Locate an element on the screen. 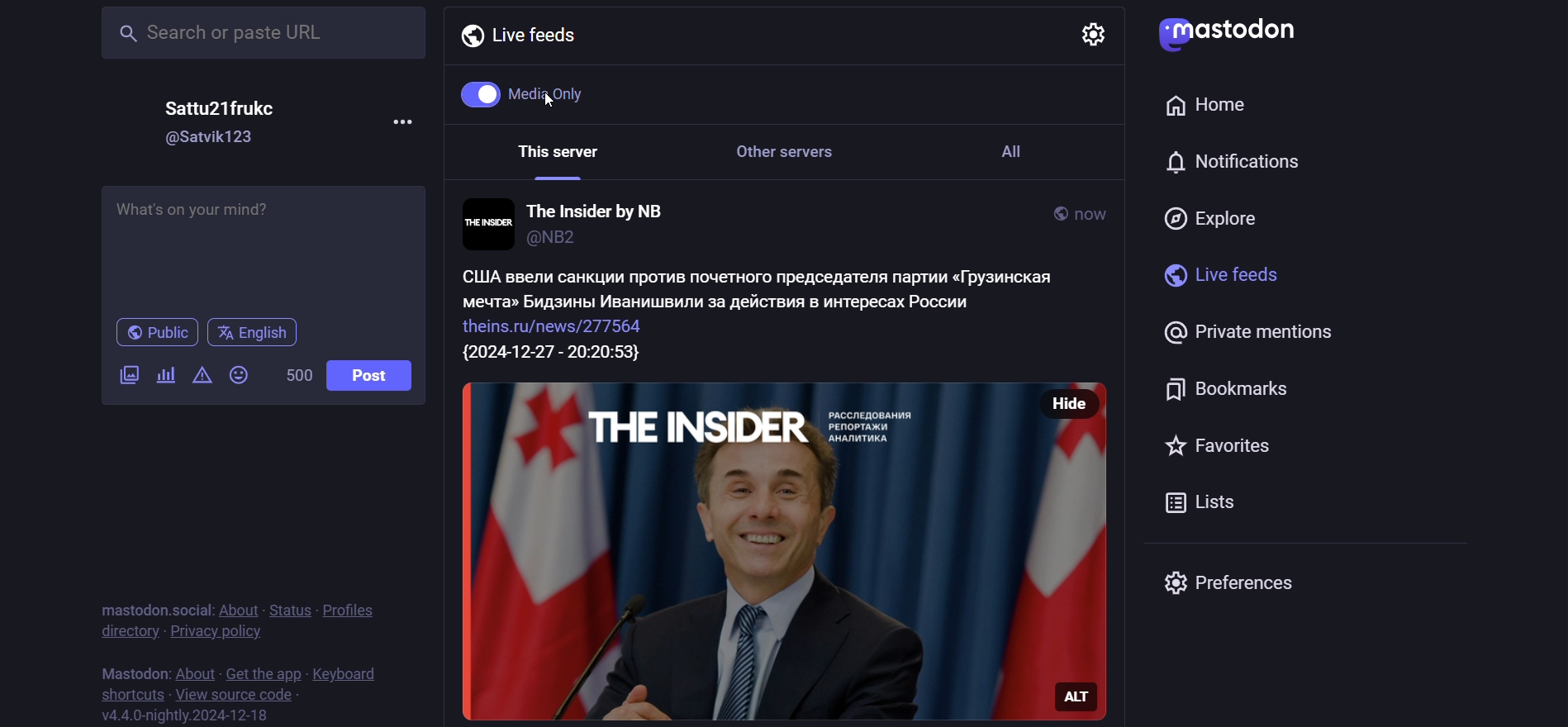 The height and width of the screenshot is (727, 1568). home is located at coordinates (1209, 102).